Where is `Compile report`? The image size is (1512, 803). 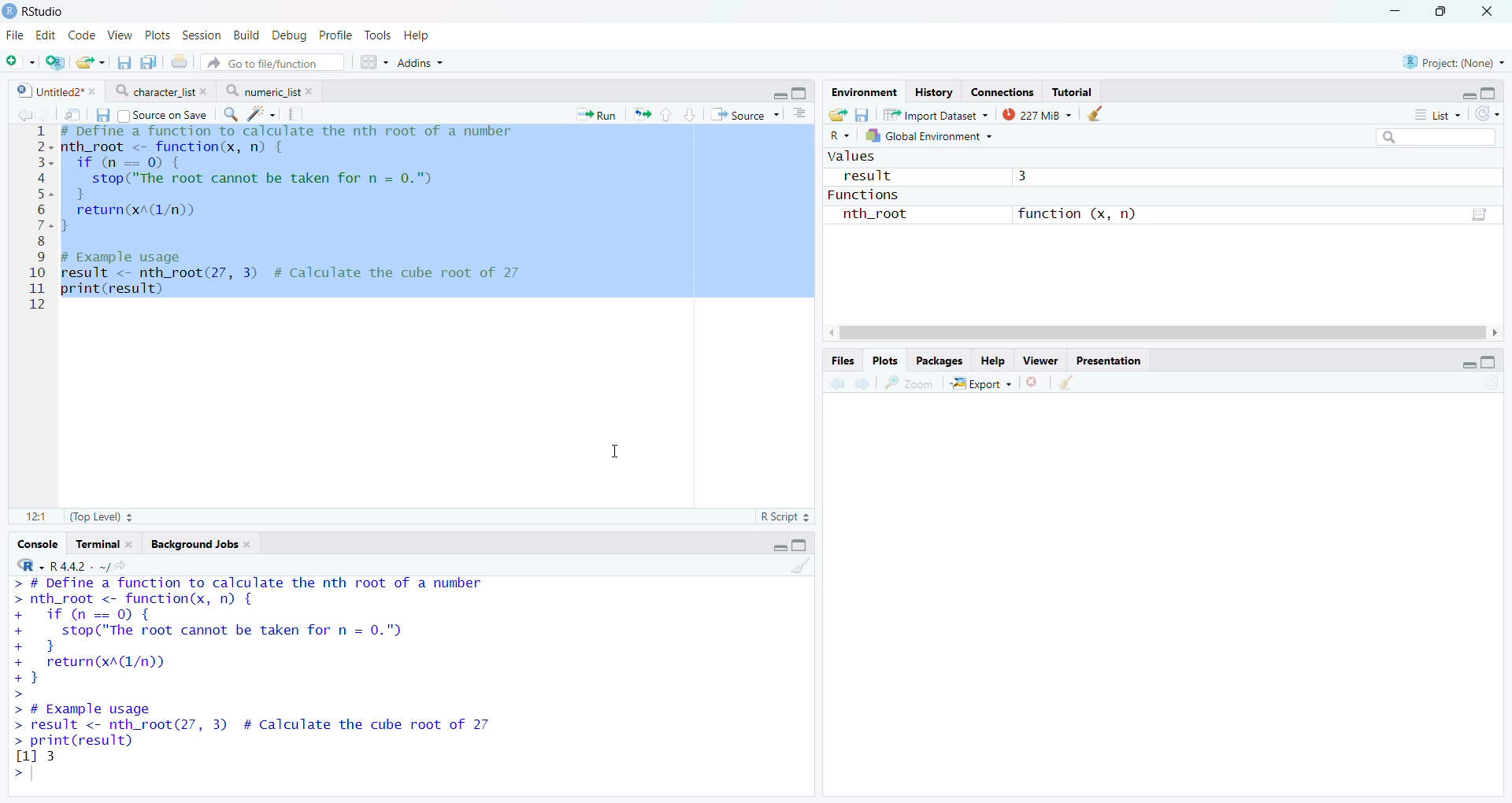 Compile report is located at coordinates (298, 113).